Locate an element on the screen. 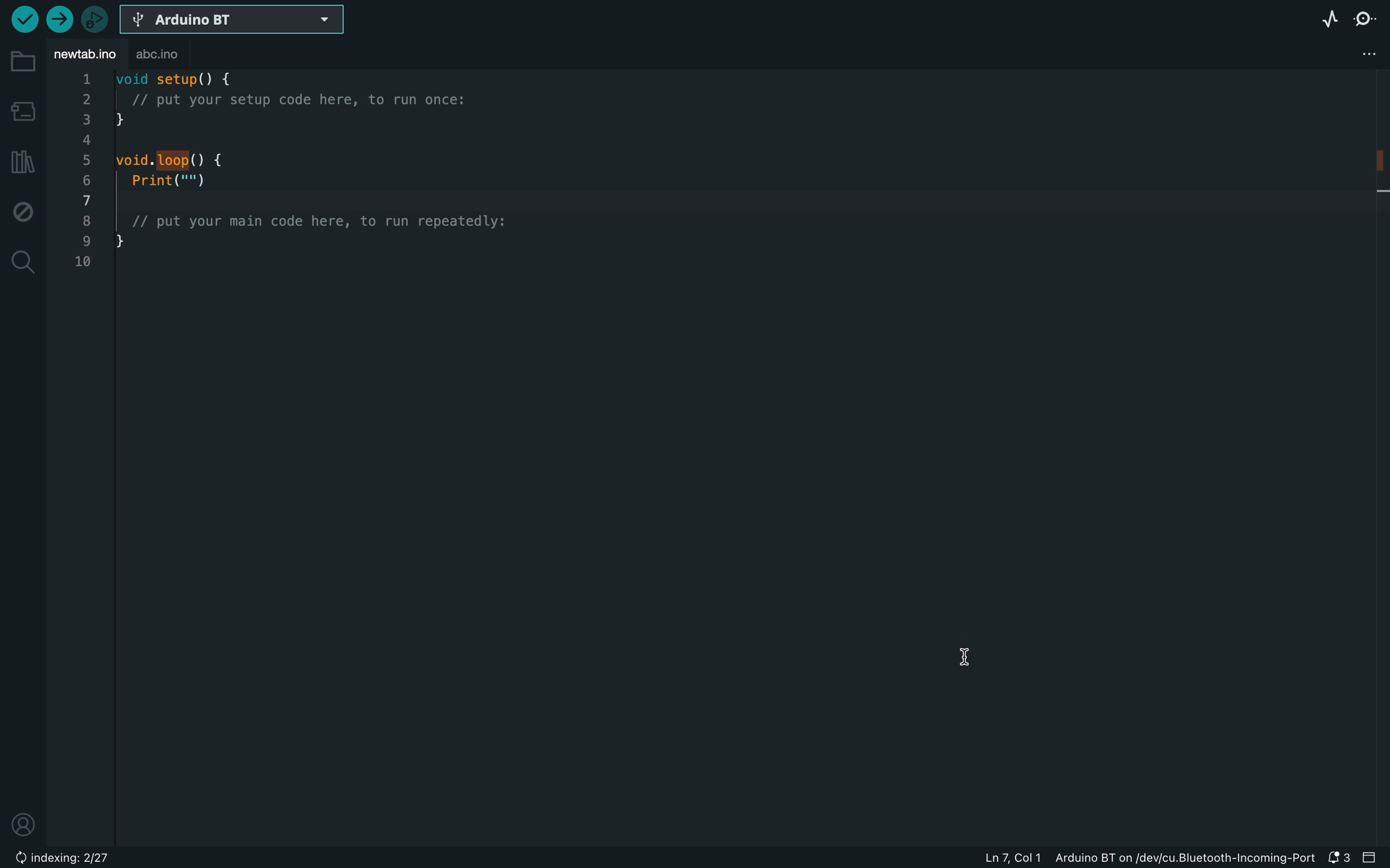  serial plotter is located at coordinates (1328, 19).